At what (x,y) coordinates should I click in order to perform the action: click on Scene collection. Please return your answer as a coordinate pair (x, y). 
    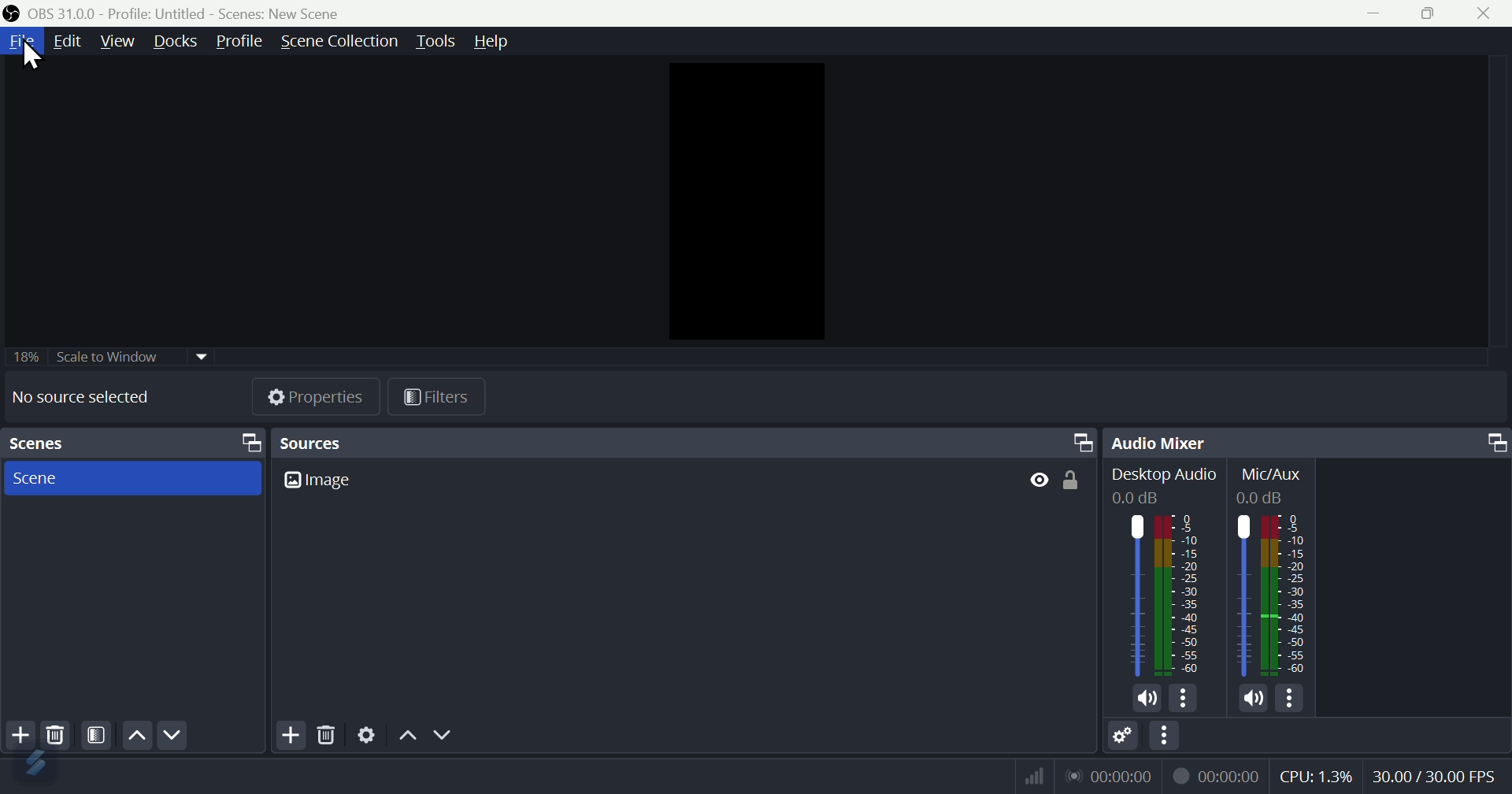
    Looking at the image, I should click on (343, 43).